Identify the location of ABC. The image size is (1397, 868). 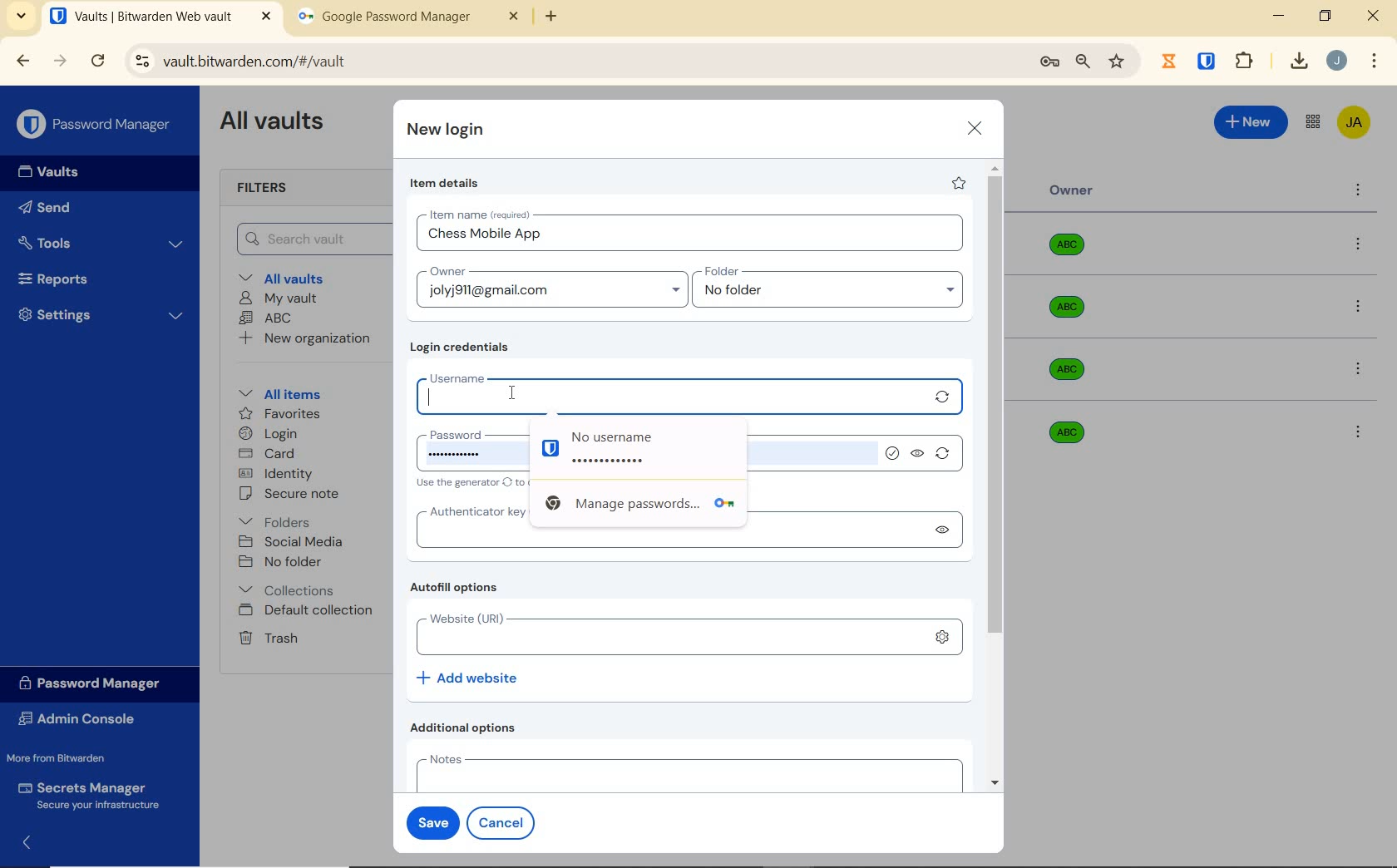
(265, 318).